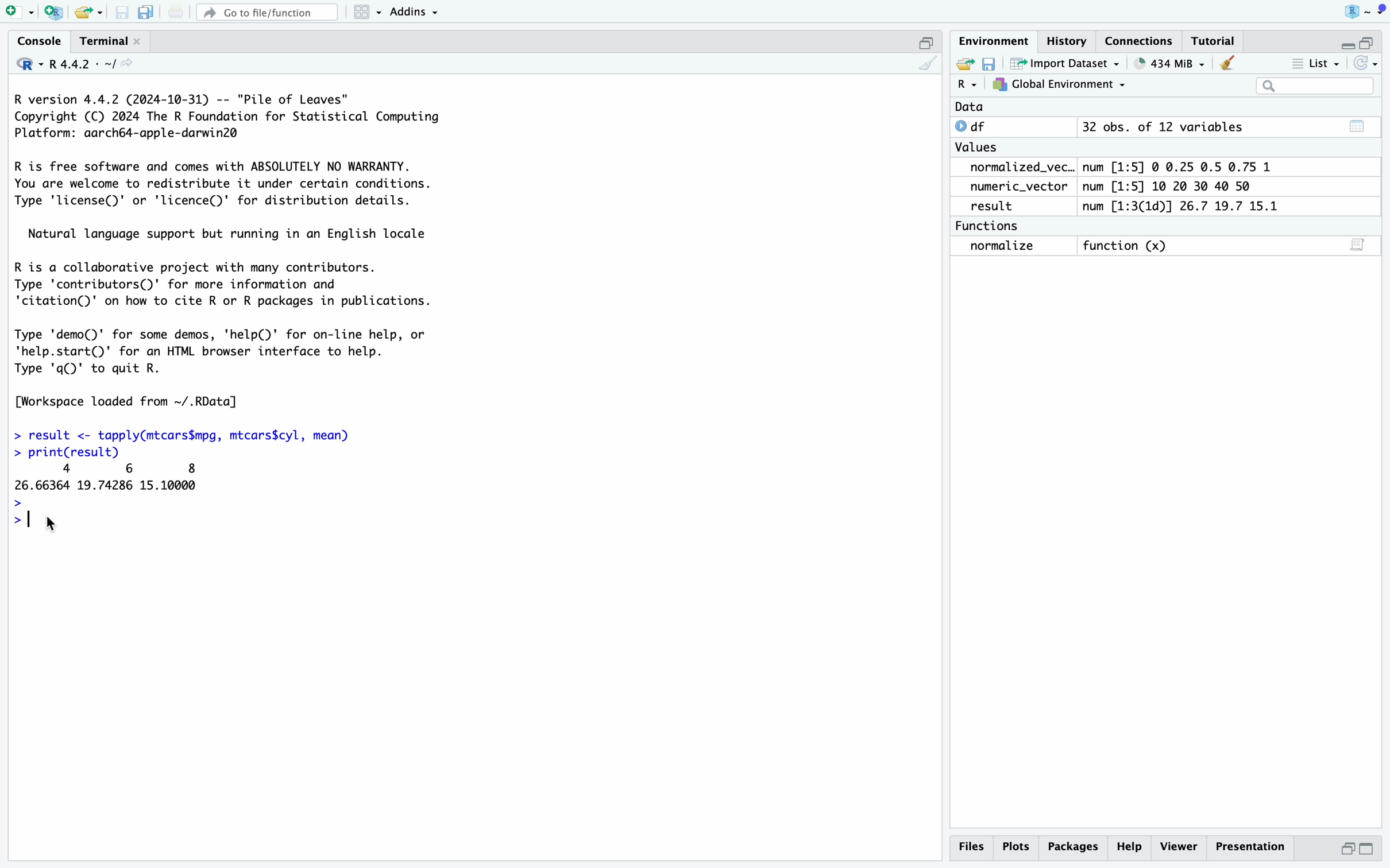 This screenshot has height=868, width=1390. I want to click on normalize, so click(1003, 246).